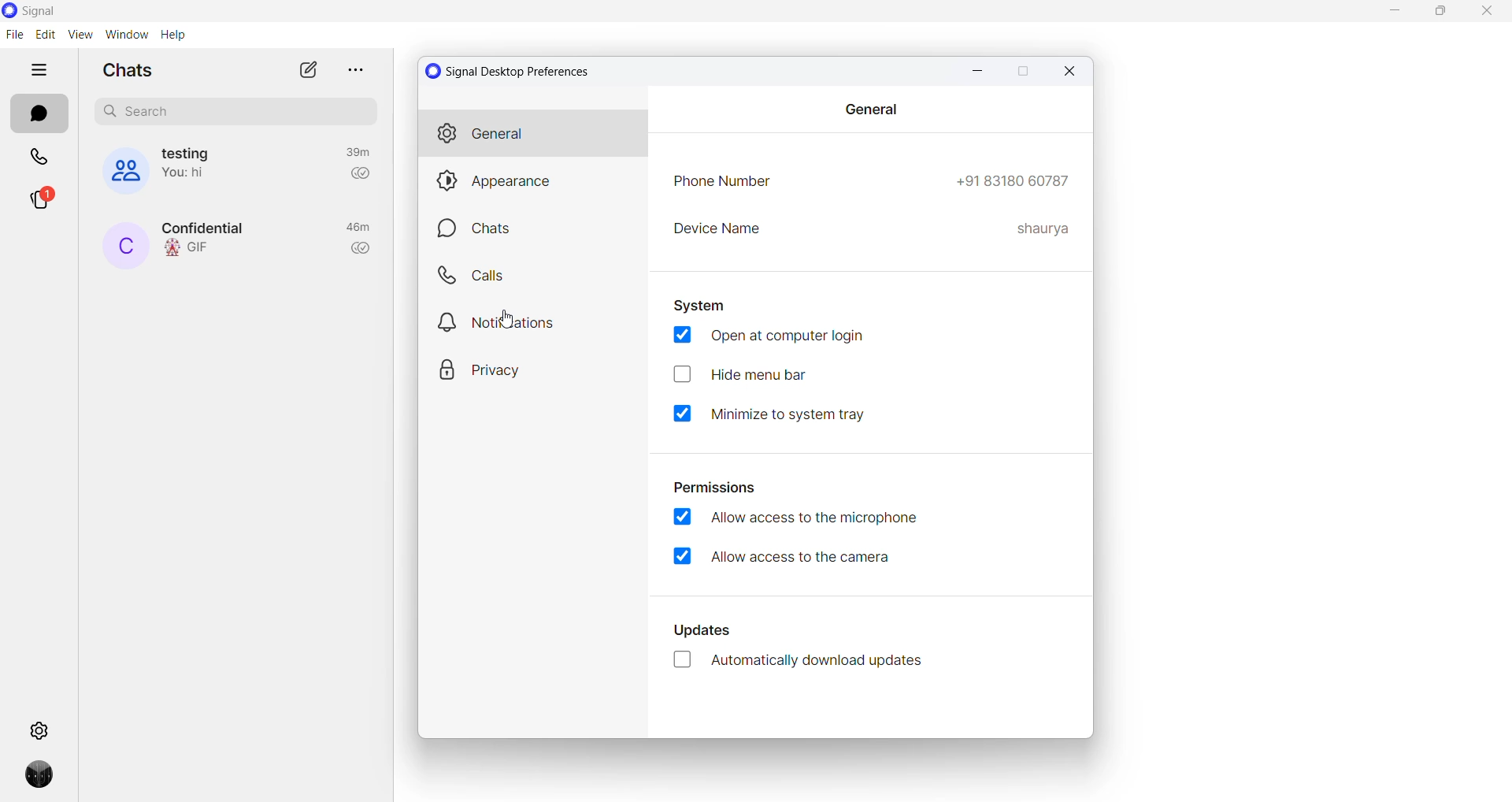 This screenshot has width=1512, height=802. What do you see at coordinates (1024, 72) in the screenshot?
I see `maximize` at bounding box center [1024, 72].